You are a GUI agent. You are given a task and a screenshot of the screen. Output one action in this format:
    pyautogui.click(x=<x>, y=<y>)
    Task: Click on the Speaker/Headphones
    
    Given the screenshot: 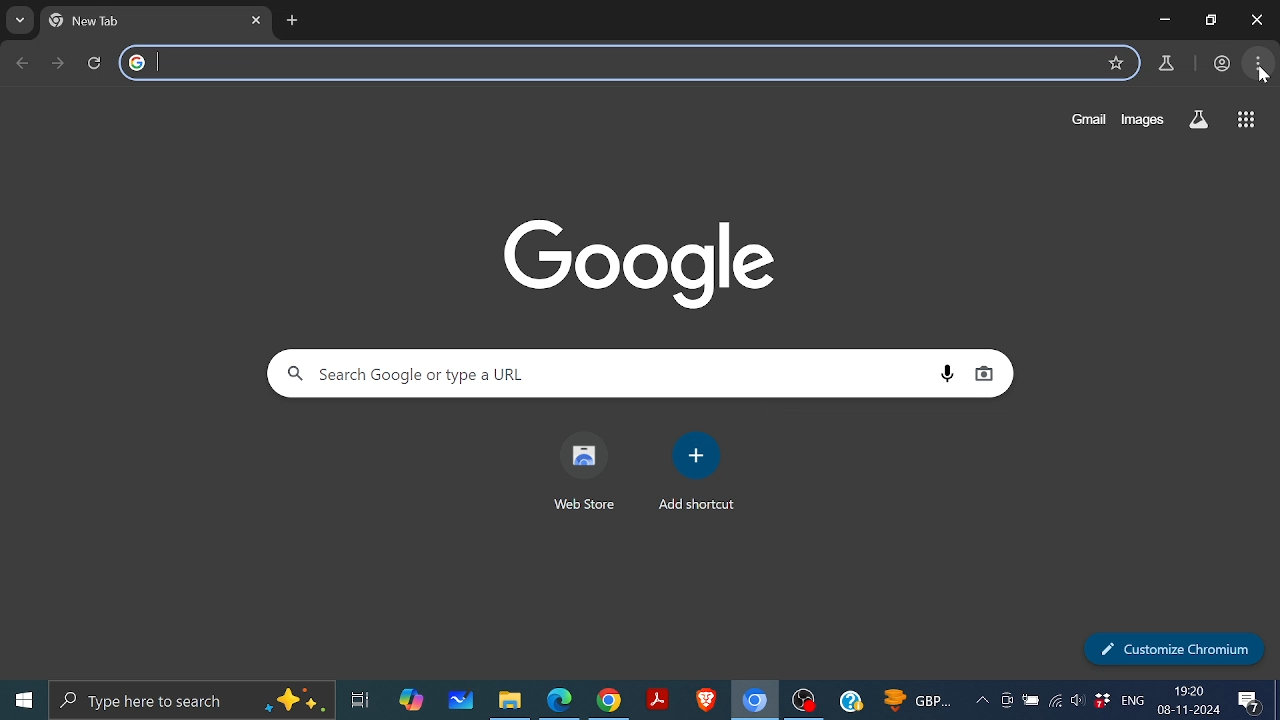 What is the action you would take?
    pyautogui.click(x=1077, y=701)
    